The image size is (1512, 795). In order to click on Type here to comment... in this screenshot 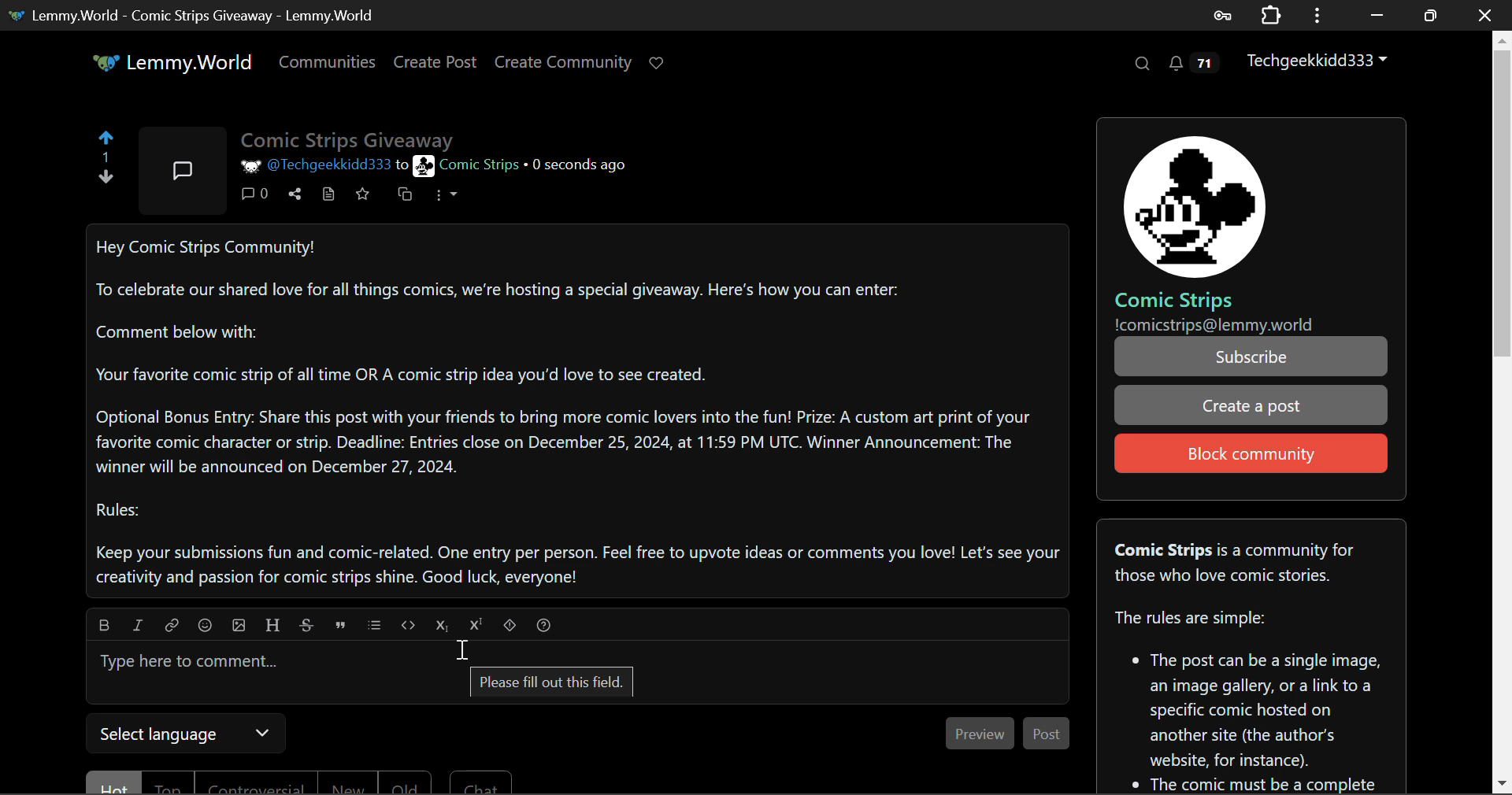, I will do `click(583, 654)`.